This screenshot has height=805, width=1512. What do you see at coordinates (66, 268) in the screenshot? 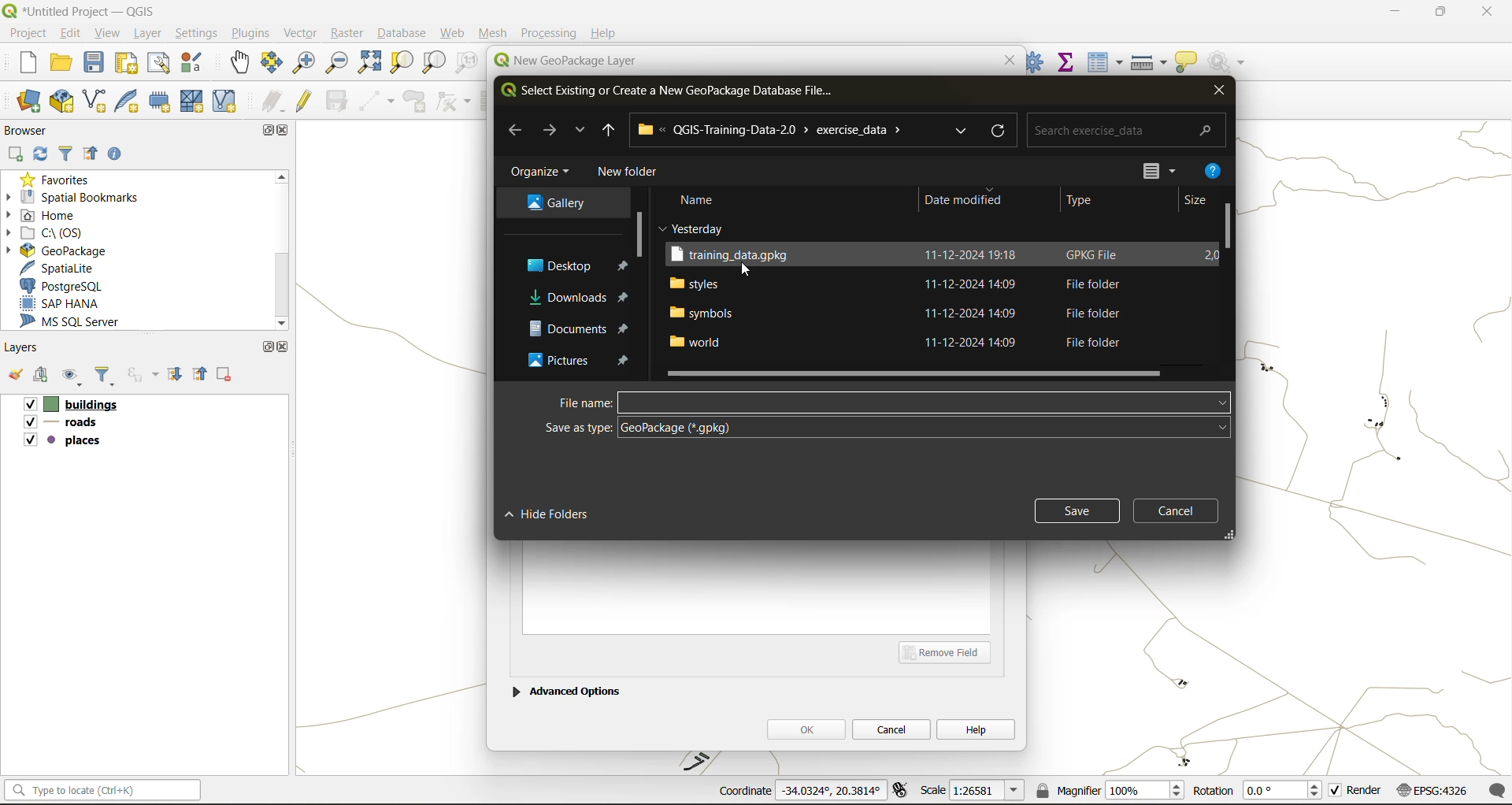
I see `spatialite` at bounding box center [66, 268].